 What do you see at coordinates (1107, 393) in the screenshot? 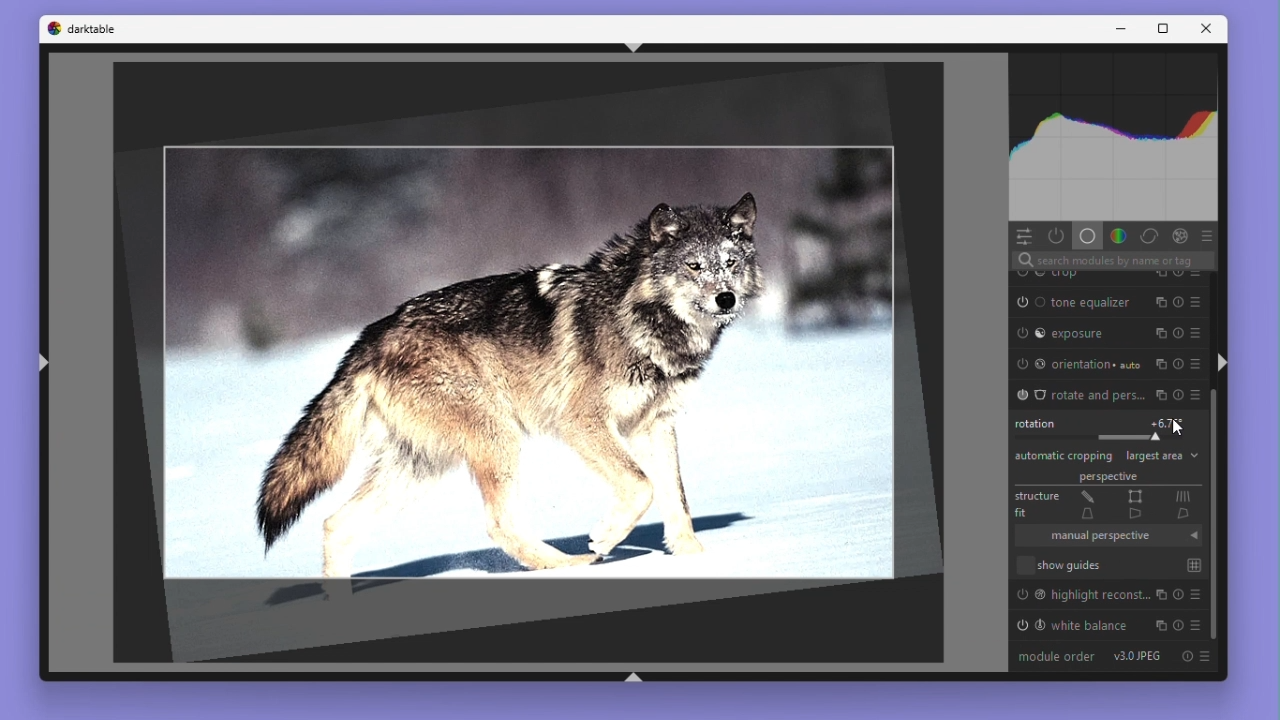
I see `Rotate and perspective` at bounding box center [1107, 393].